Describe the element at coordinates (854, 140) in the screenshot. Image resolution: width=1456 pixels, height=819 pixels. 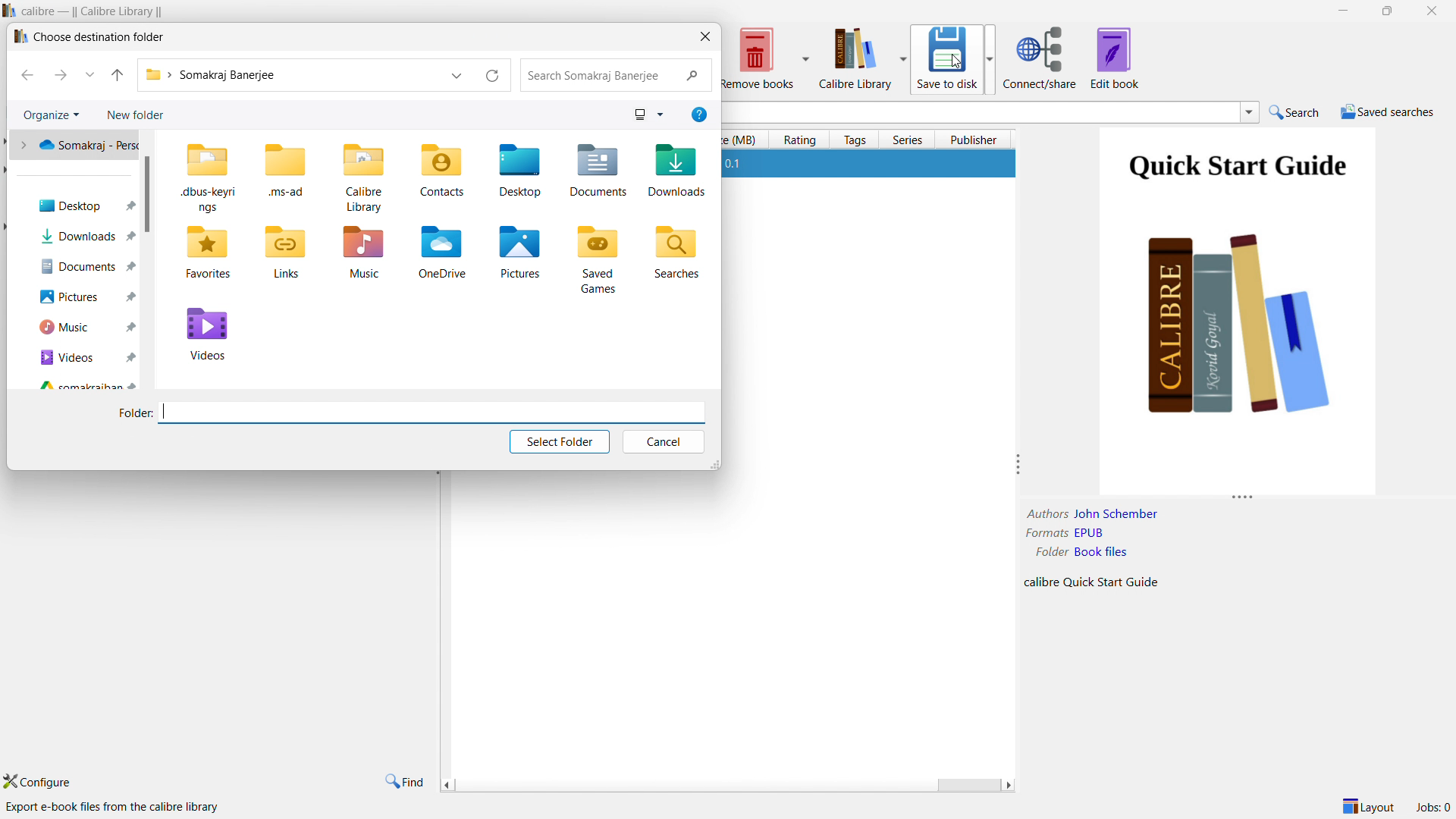
I see `tags` at that location.